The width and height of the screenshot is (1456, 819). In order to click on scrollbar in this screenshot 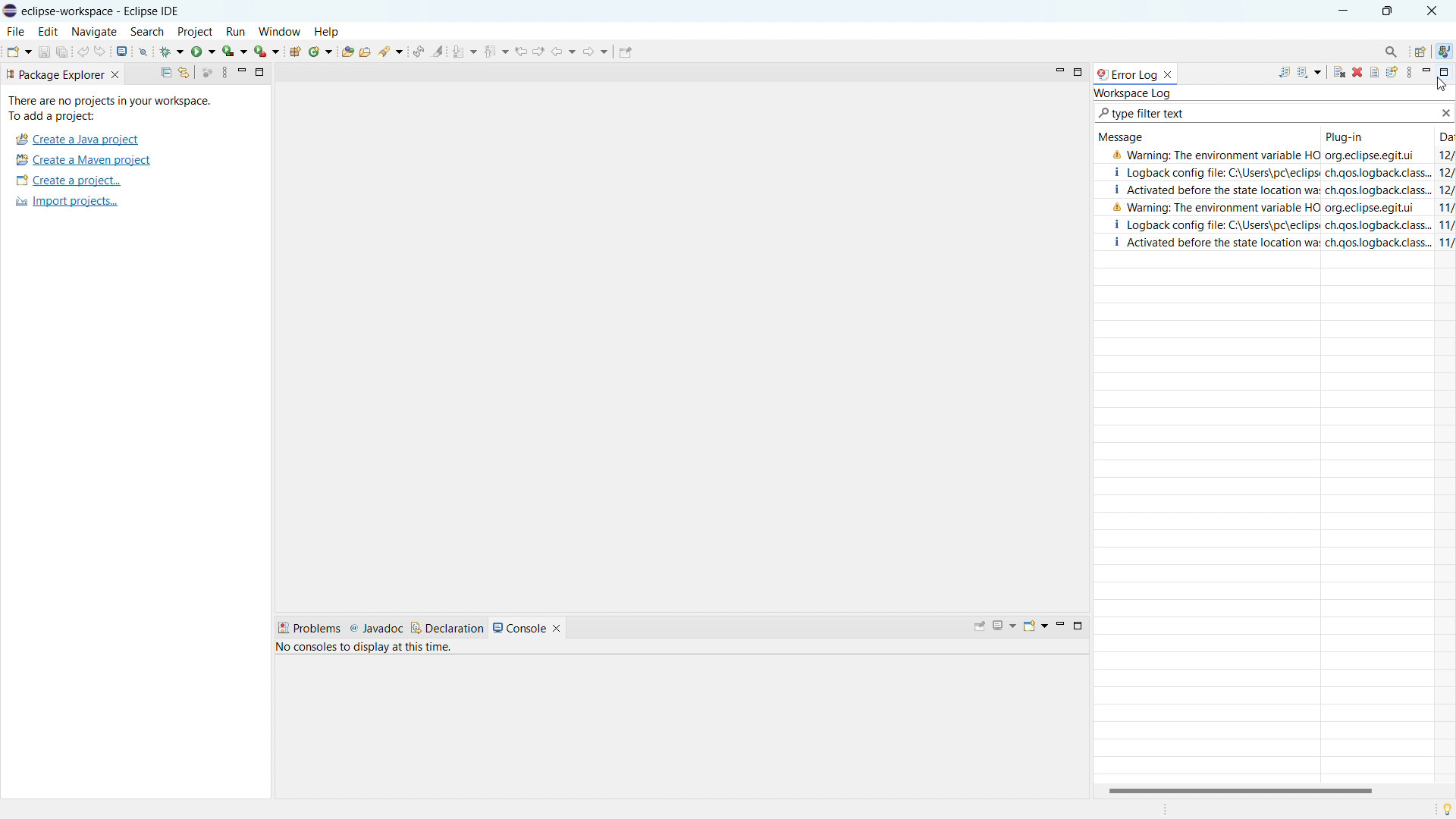, I will do `click(1241, 787)`.